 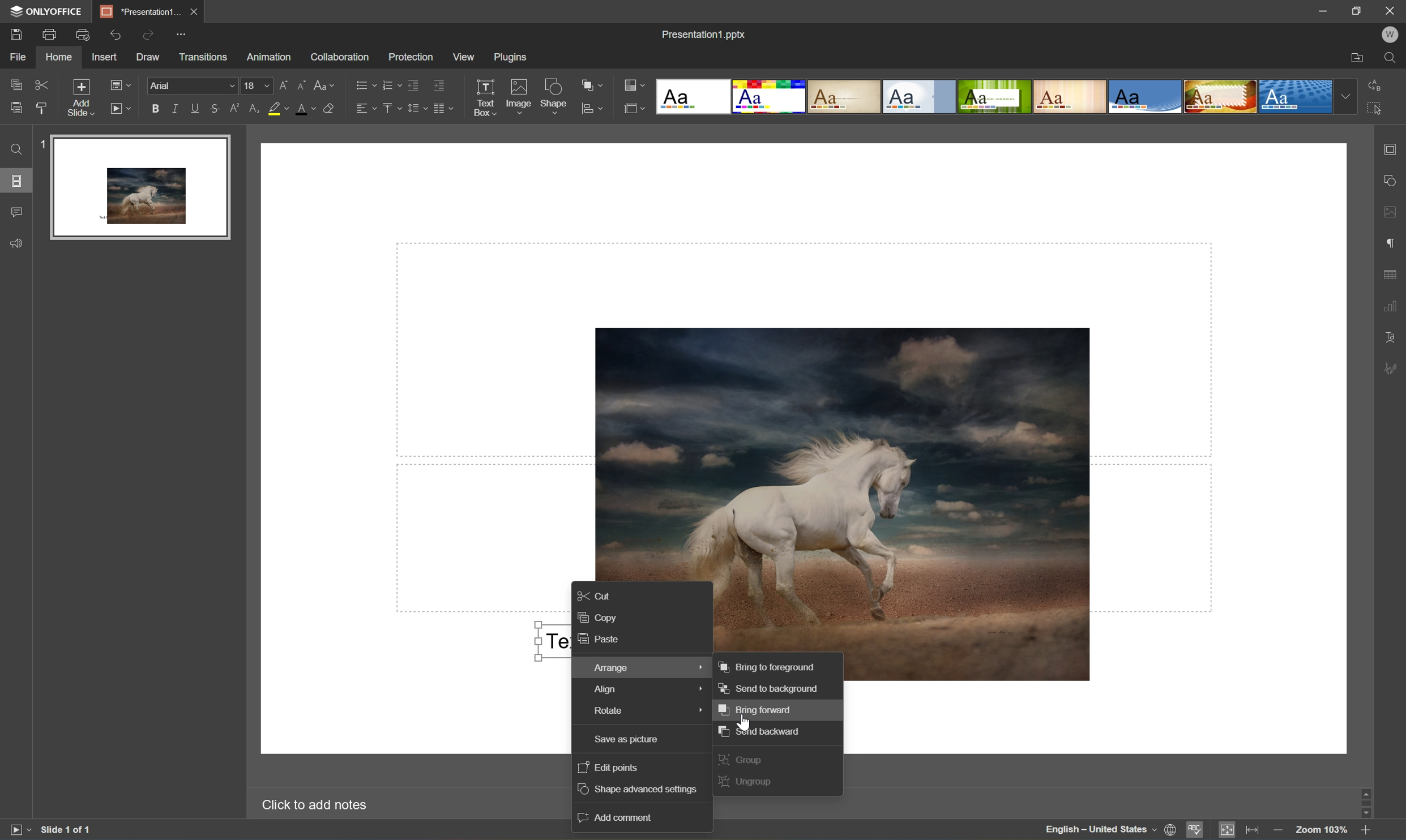 What do you see at coordinates (1100, 831) in the screenshot?
I see `English - United States` at bounding box center [1100, 831].